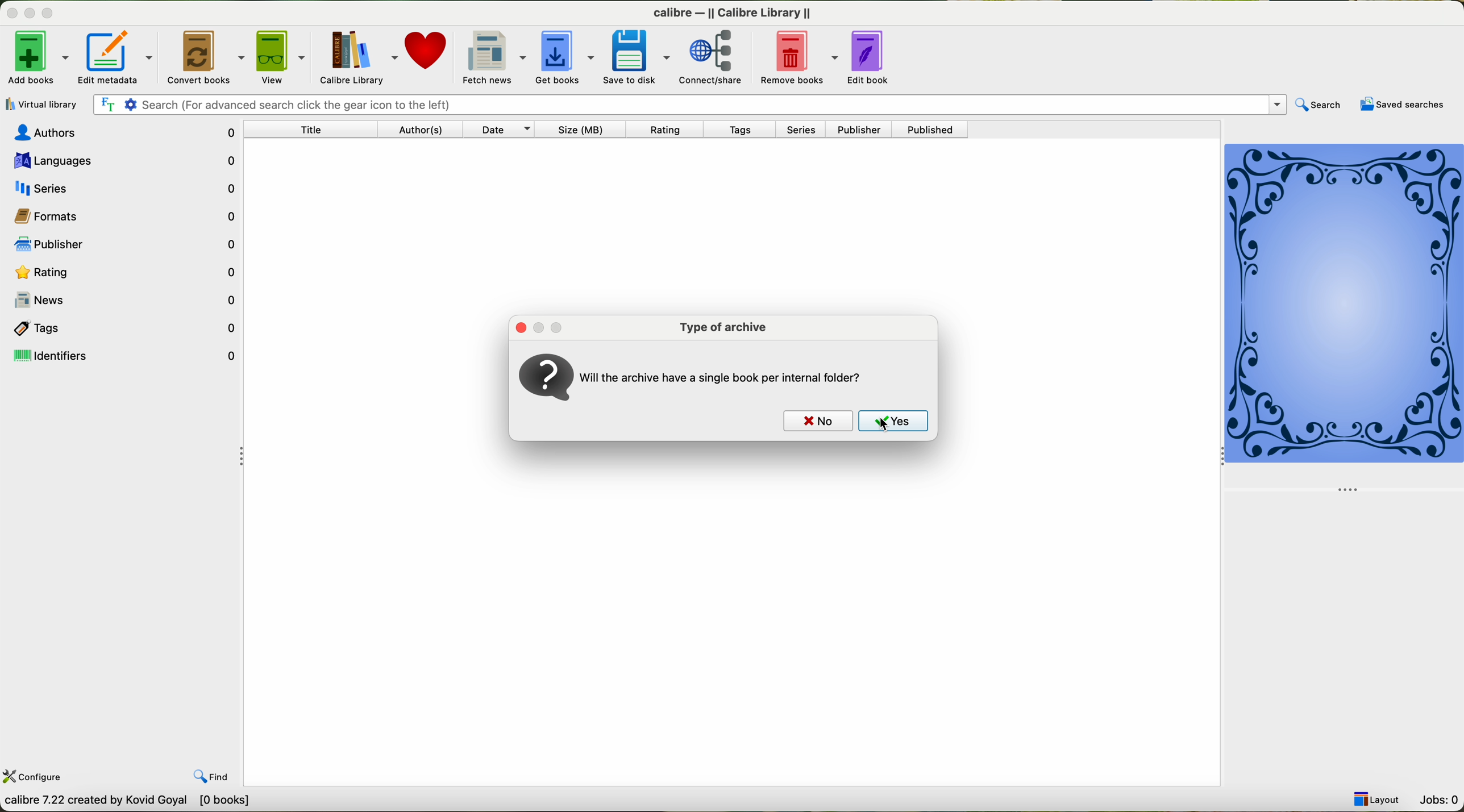 This screenshot has height=812, width=1464. Describe the element at coordinates (36, 59) in the screenshot. I see `add books` at that location.